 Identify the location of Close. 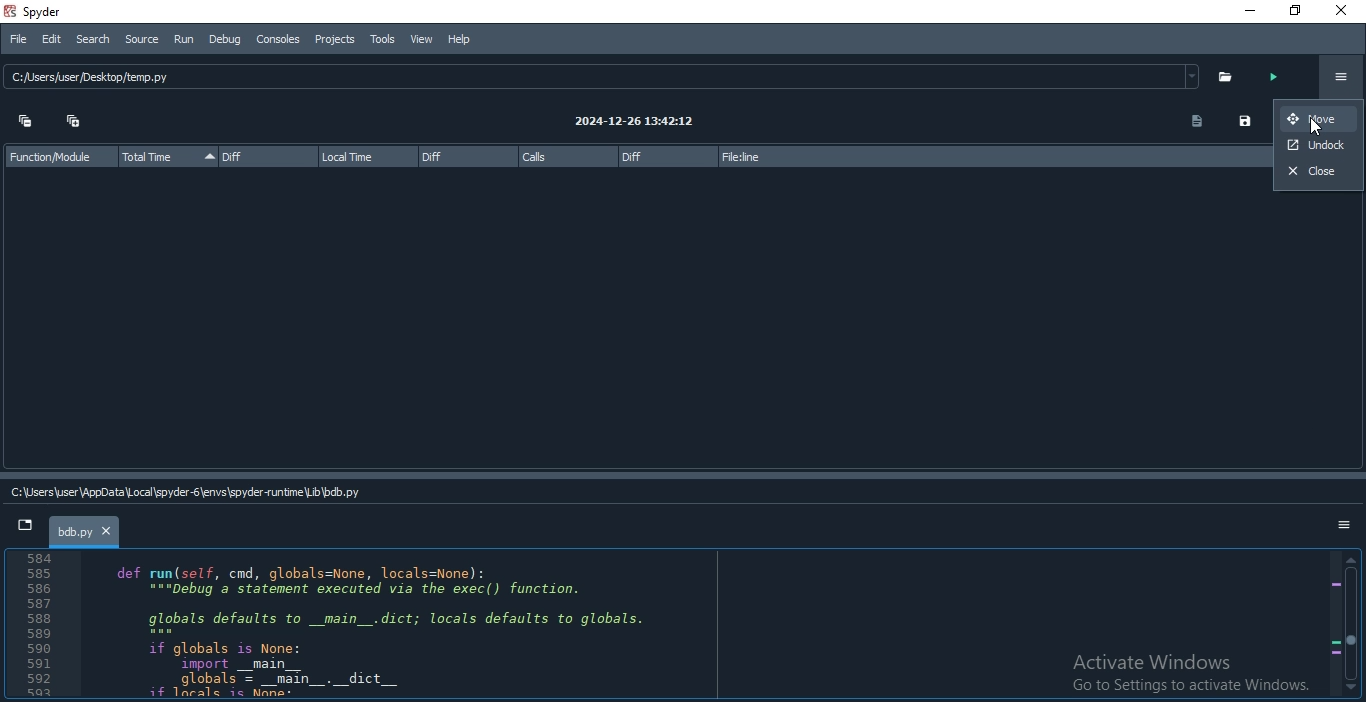
(1345, 11).